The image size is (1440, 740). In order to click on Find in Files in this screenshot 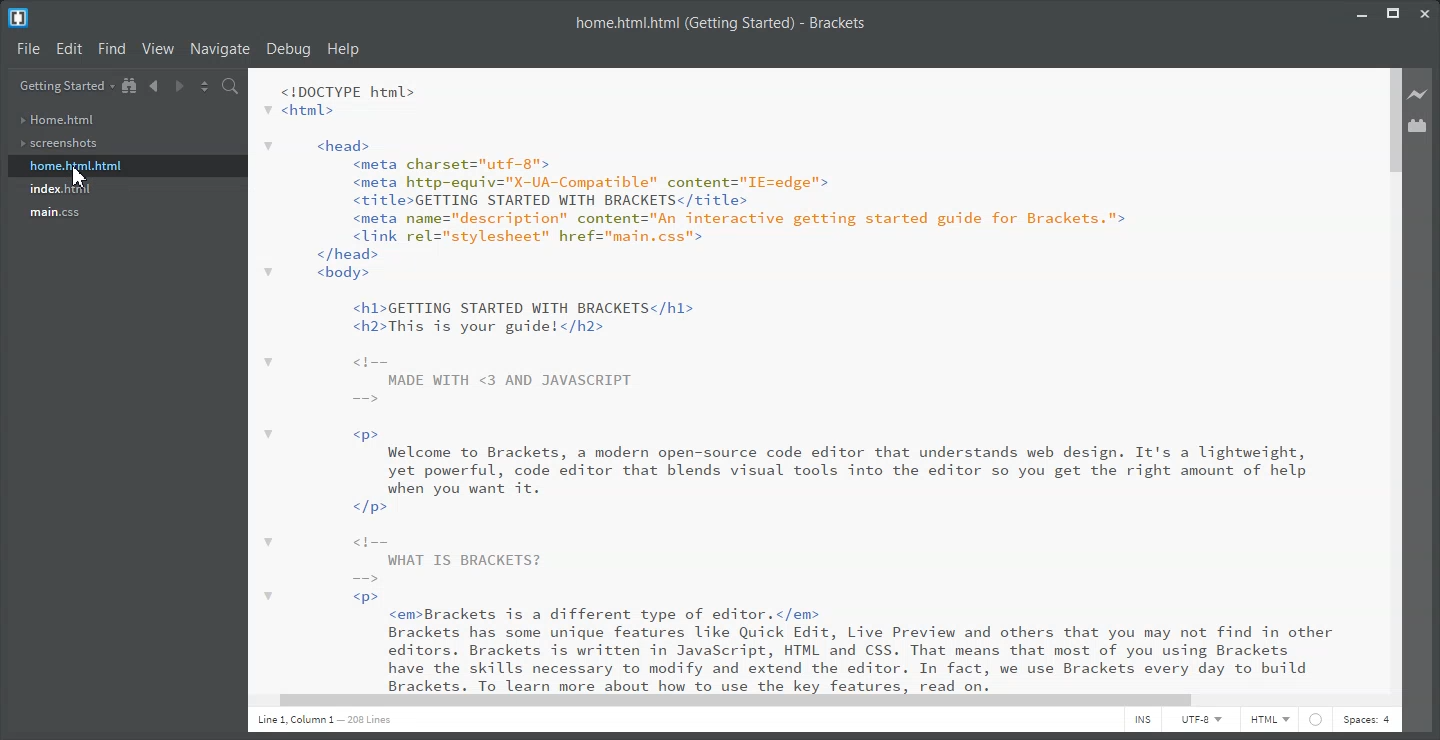, I will do `click(232, 87)`.